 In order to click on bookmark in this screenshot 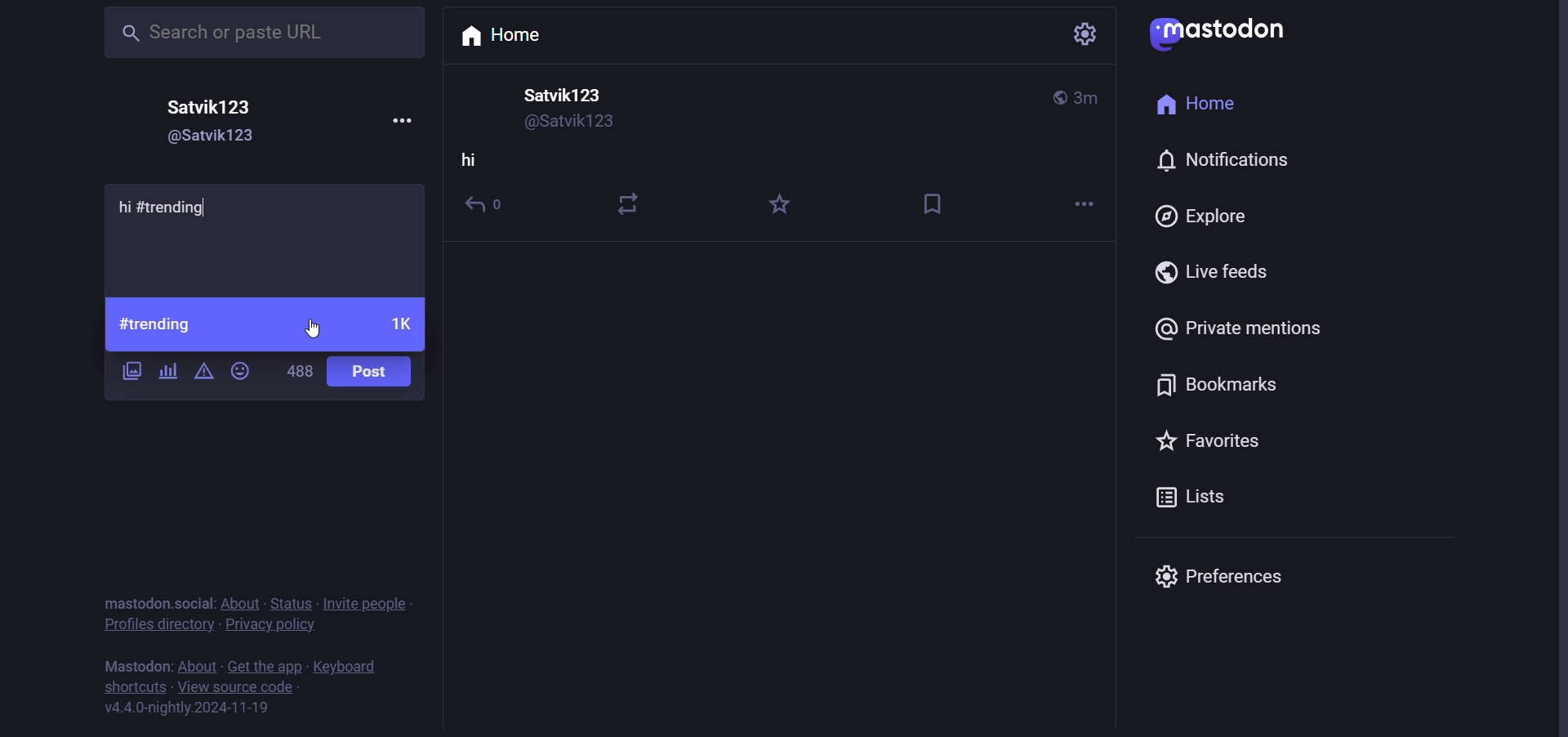, I will do `click(937, 202)`.